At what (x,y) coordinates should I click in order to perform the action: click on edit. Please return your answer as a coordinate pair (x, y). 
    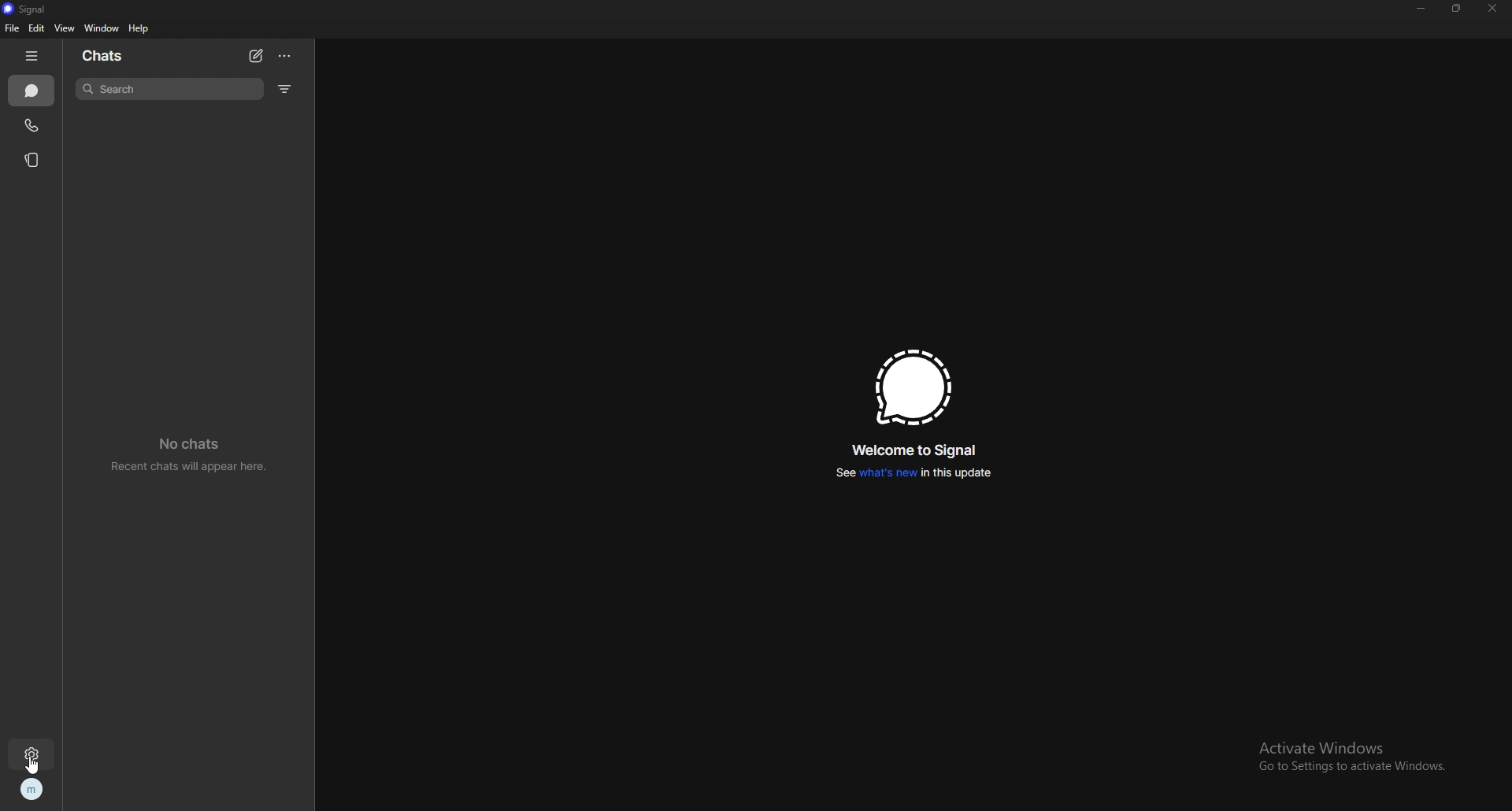
    Looking at the image, I should click on (38, 28).